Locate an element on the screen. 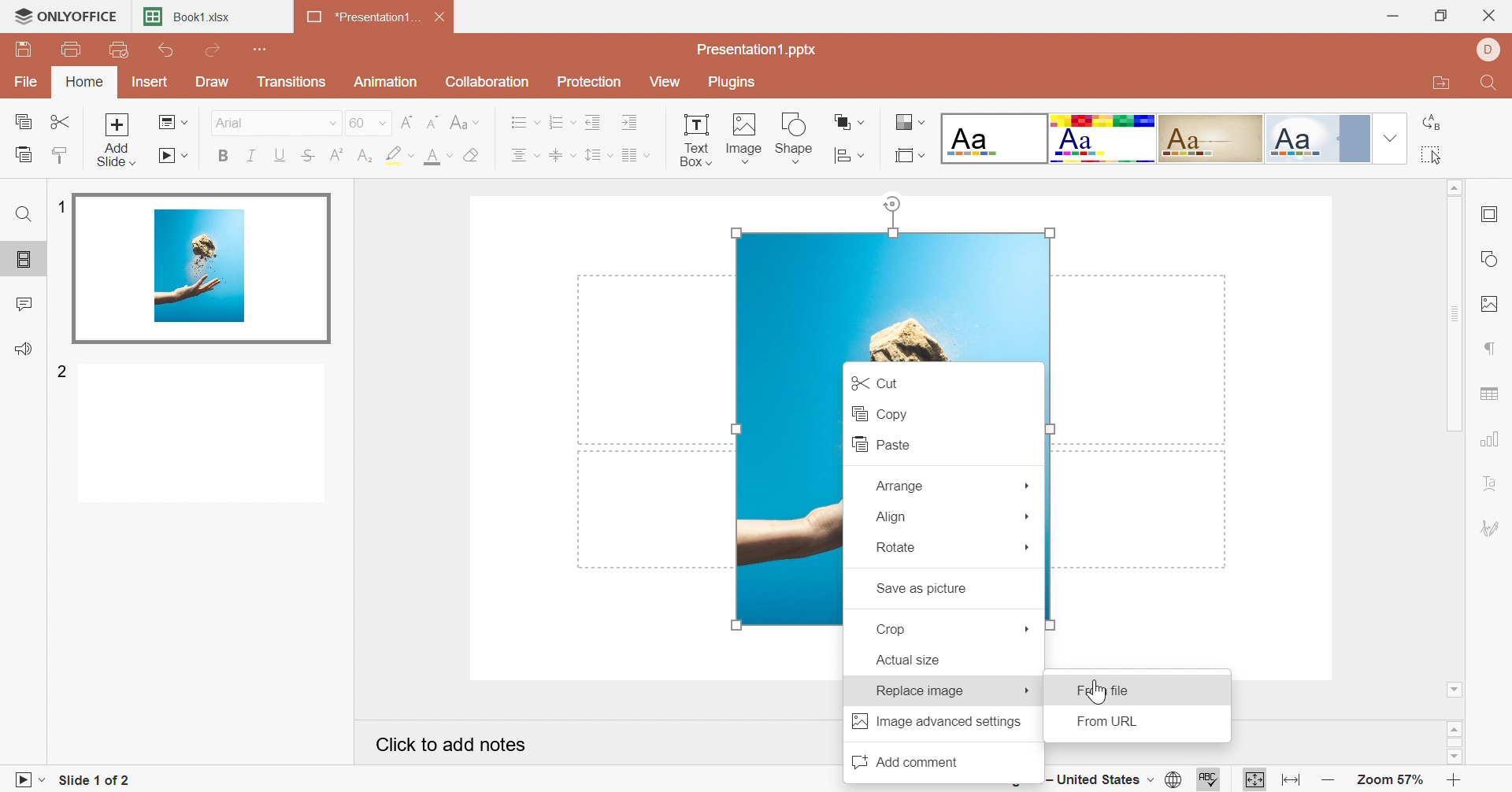  Change case is located at coordinates (465, 120).